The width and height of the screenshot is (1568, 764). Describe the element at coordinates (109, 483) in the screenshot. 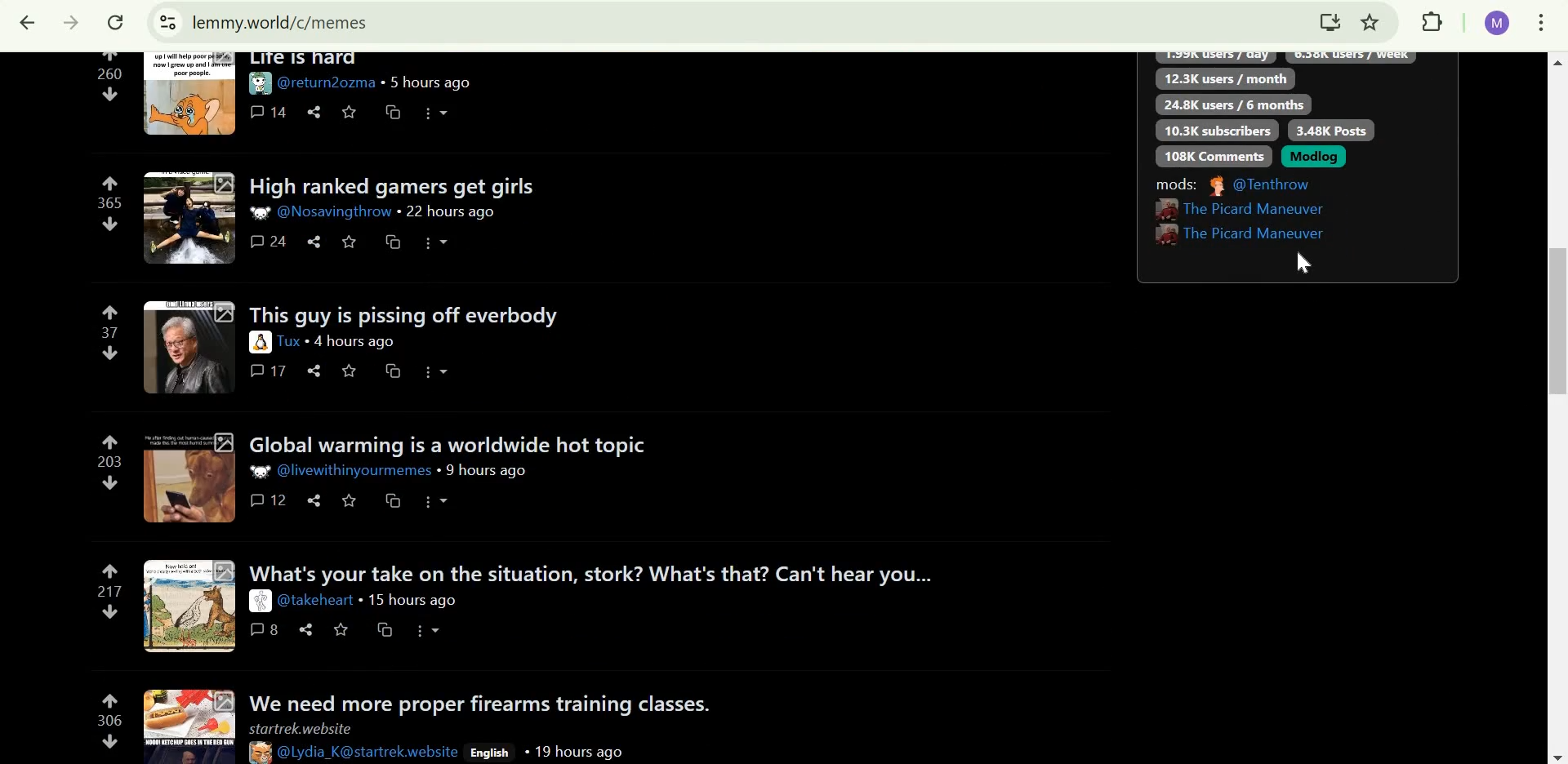

I see `downvote` at that location.